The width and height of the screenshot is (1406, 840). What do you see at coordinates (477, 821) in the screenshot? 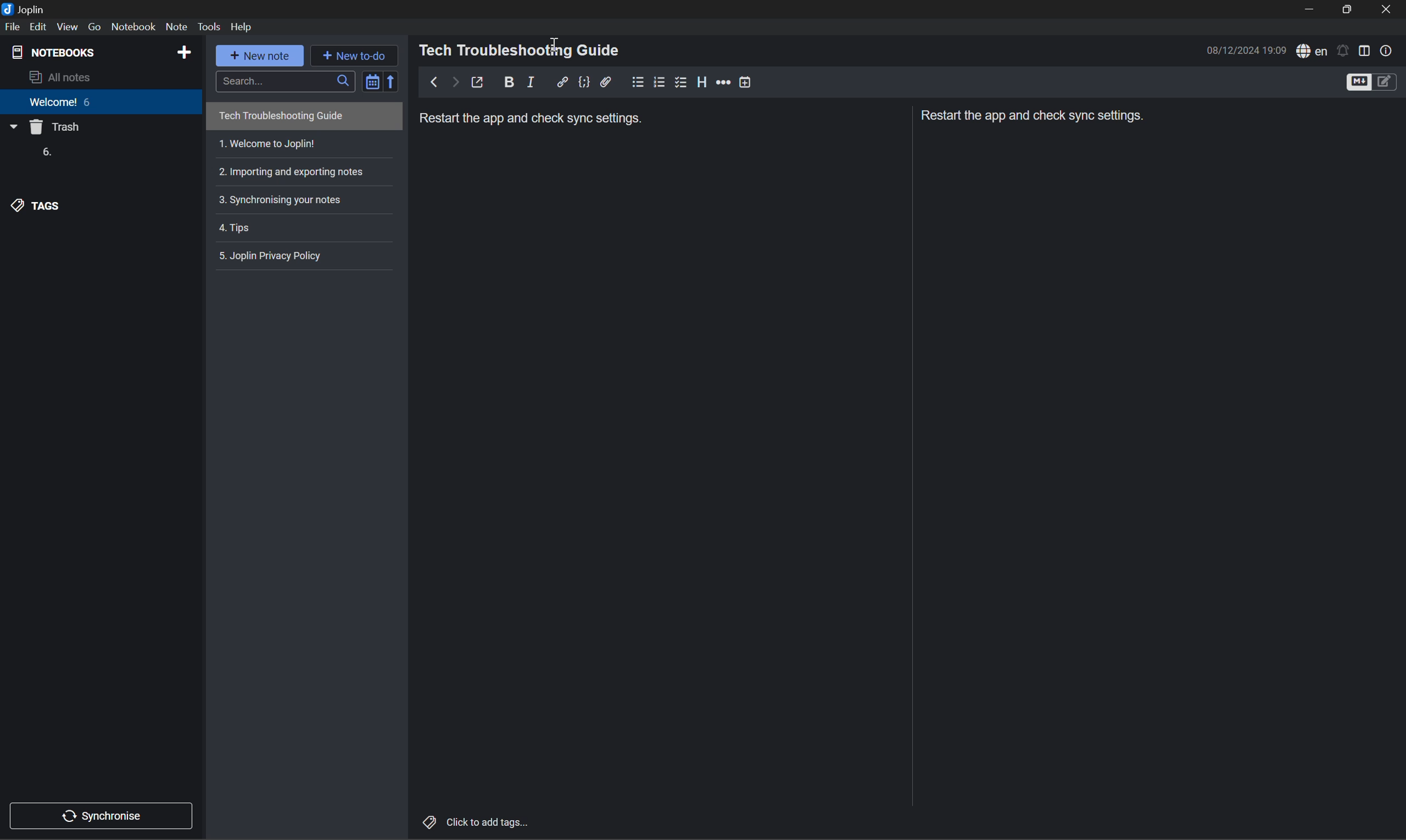
I see `Click to add tags` at bounding box center [477, 821].